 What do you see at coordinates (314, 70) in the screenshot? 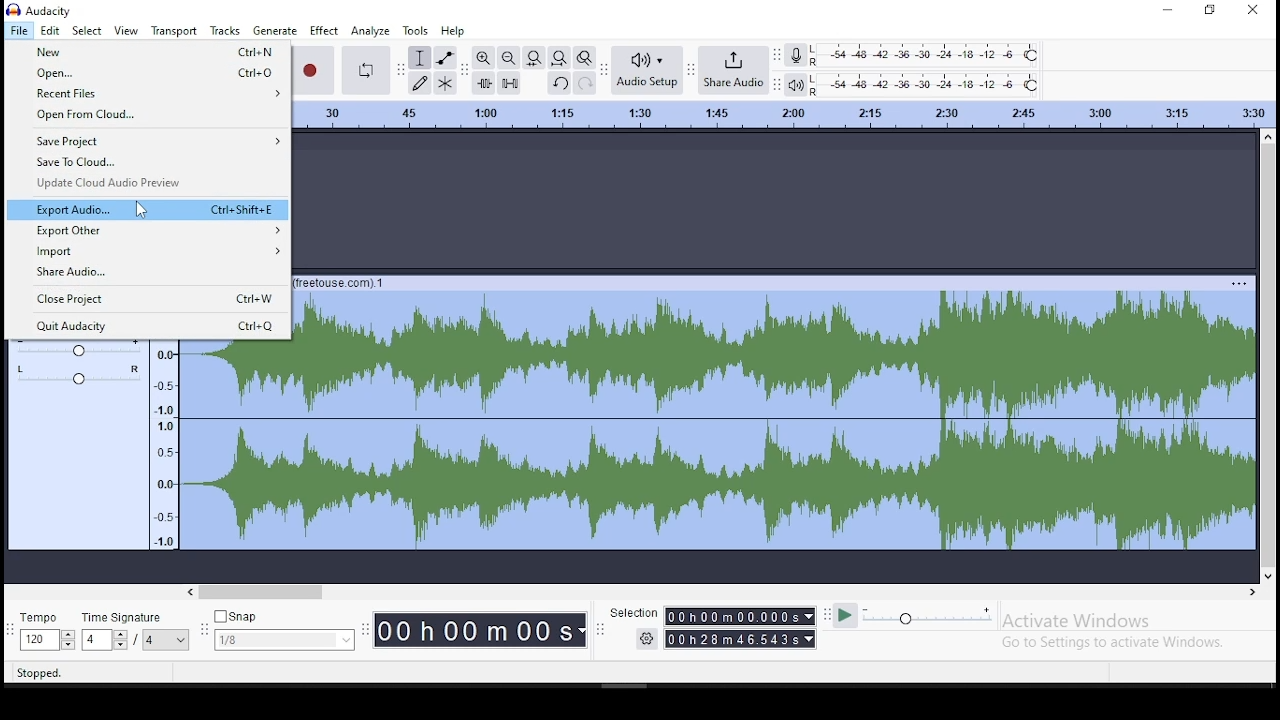
I see `record` at bounding box center [314, 70].